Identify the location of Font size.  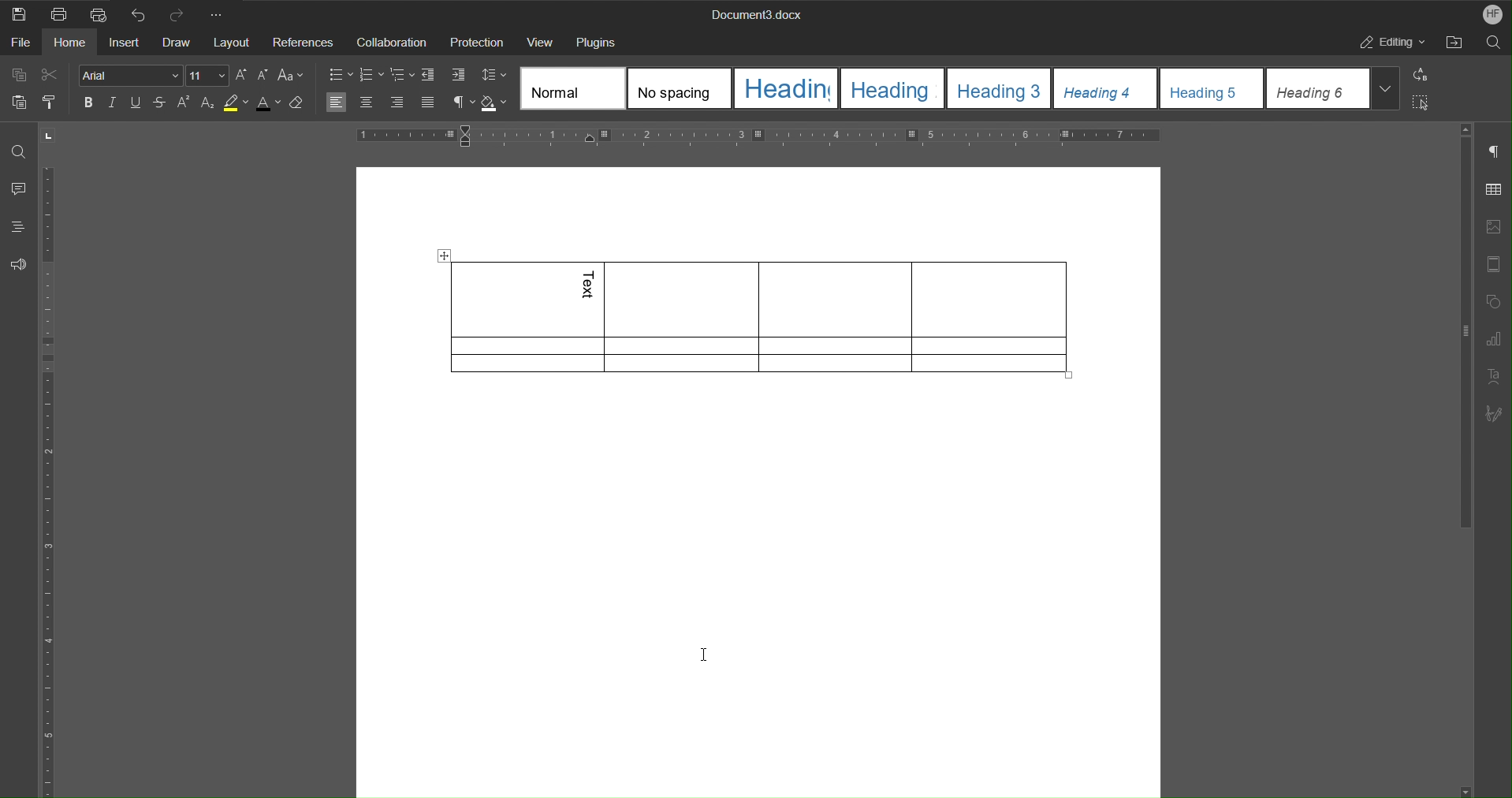
(209, 76).